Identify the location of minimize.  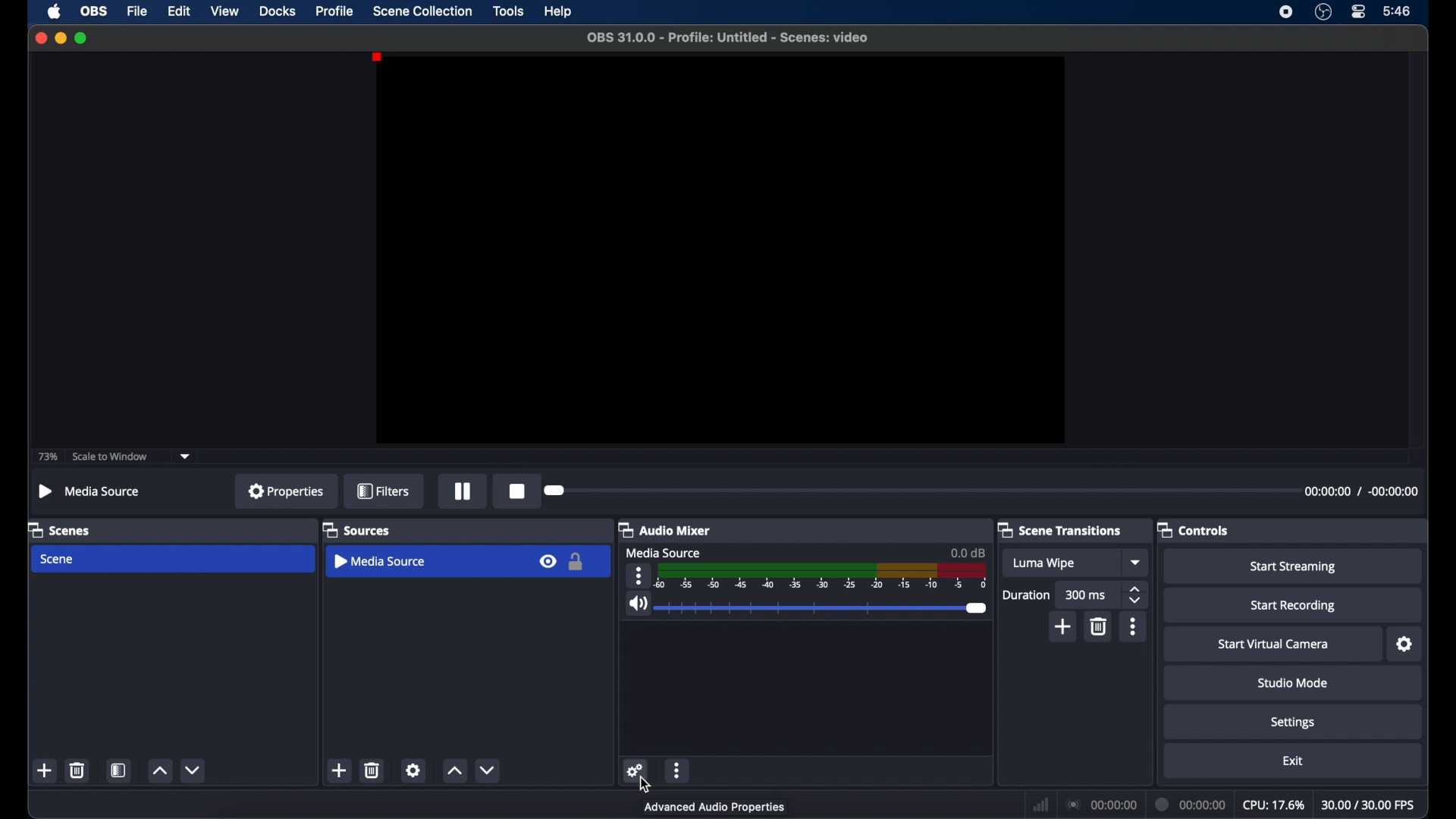
(60, 37).